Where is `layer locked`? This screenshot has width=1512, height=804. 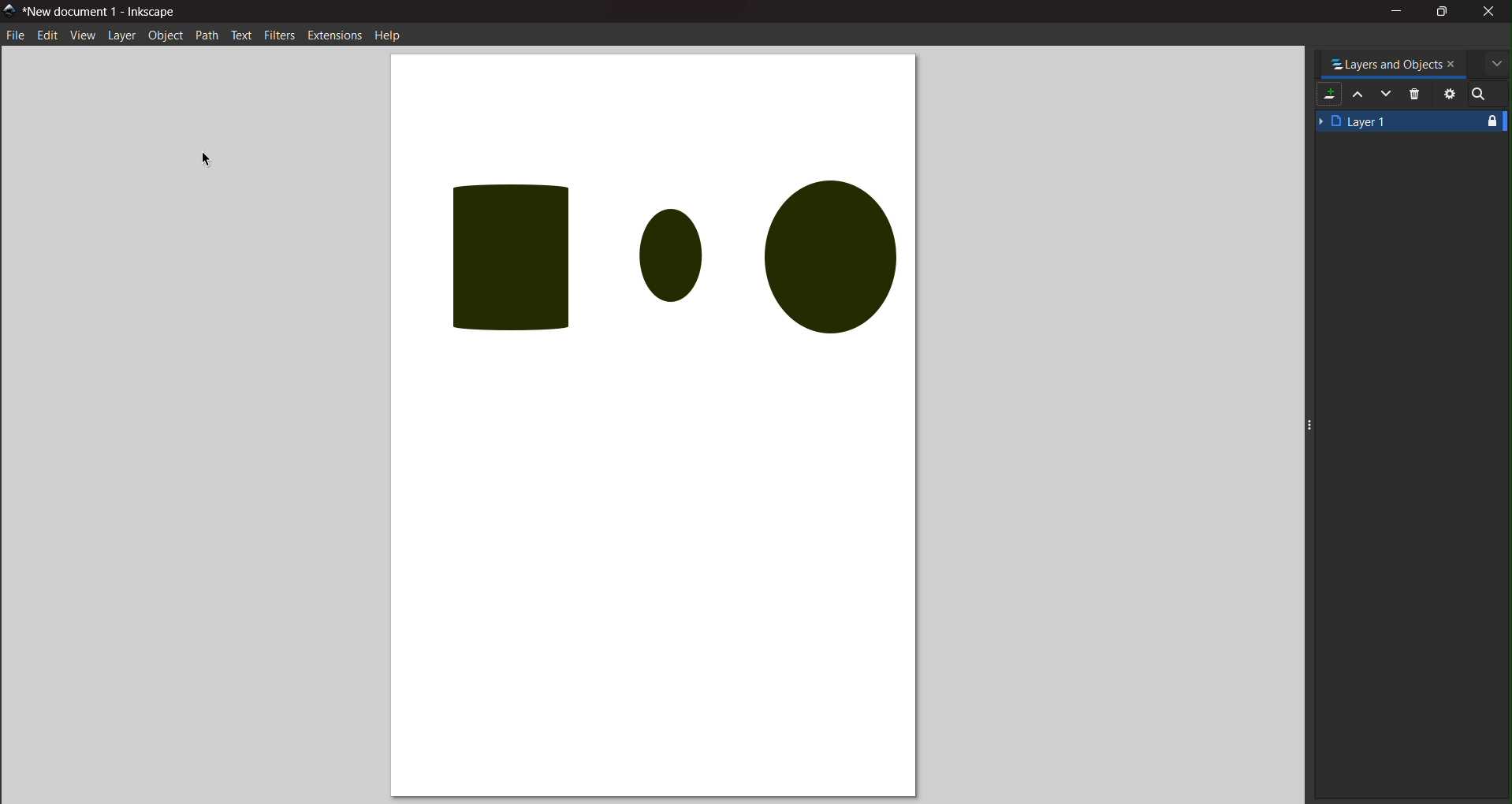
layer locked is located at coordinates (1493, 124).